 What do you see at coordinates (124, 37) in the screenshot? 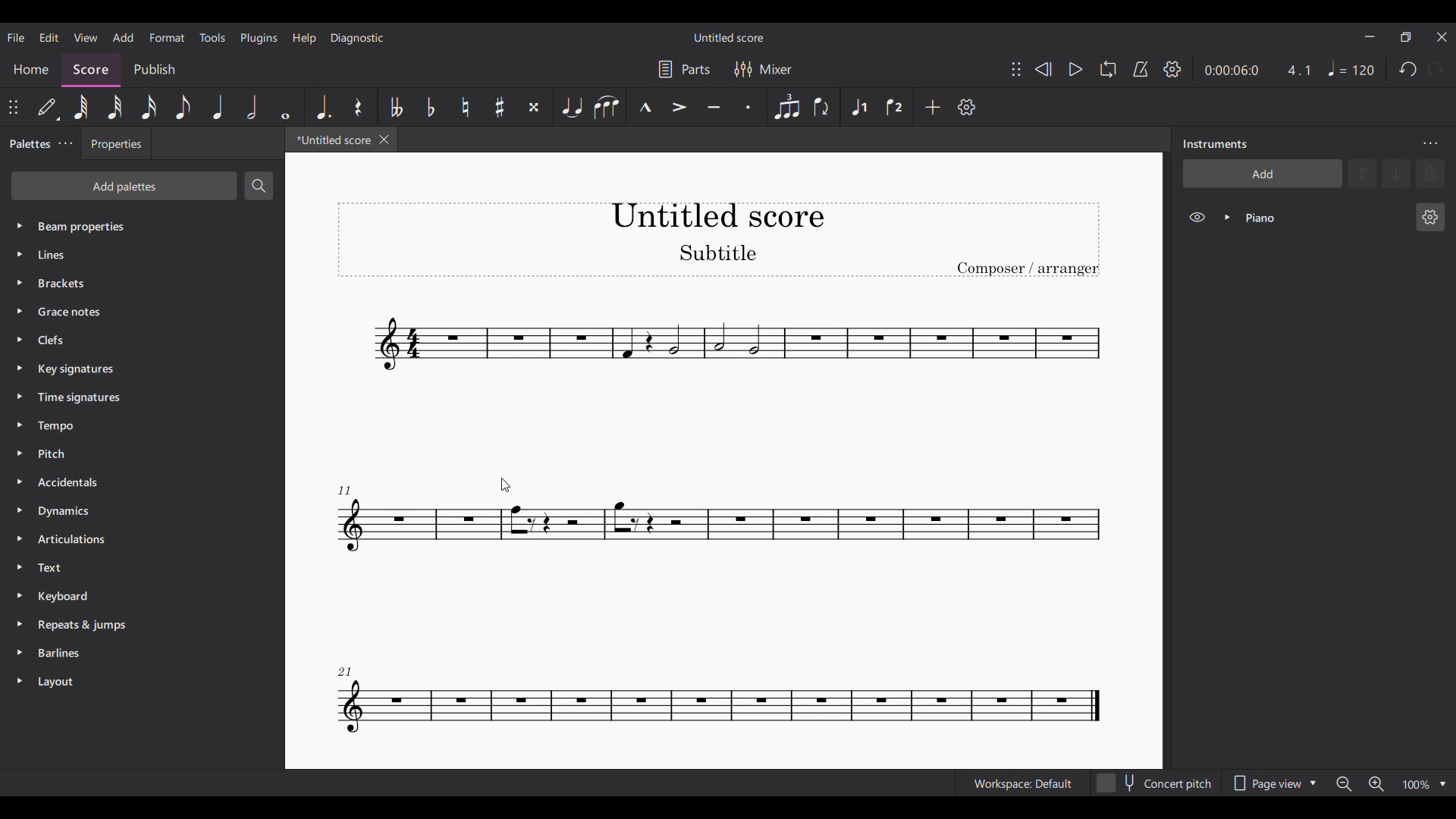
I see `Add menu` at bounding box center [124, 37].